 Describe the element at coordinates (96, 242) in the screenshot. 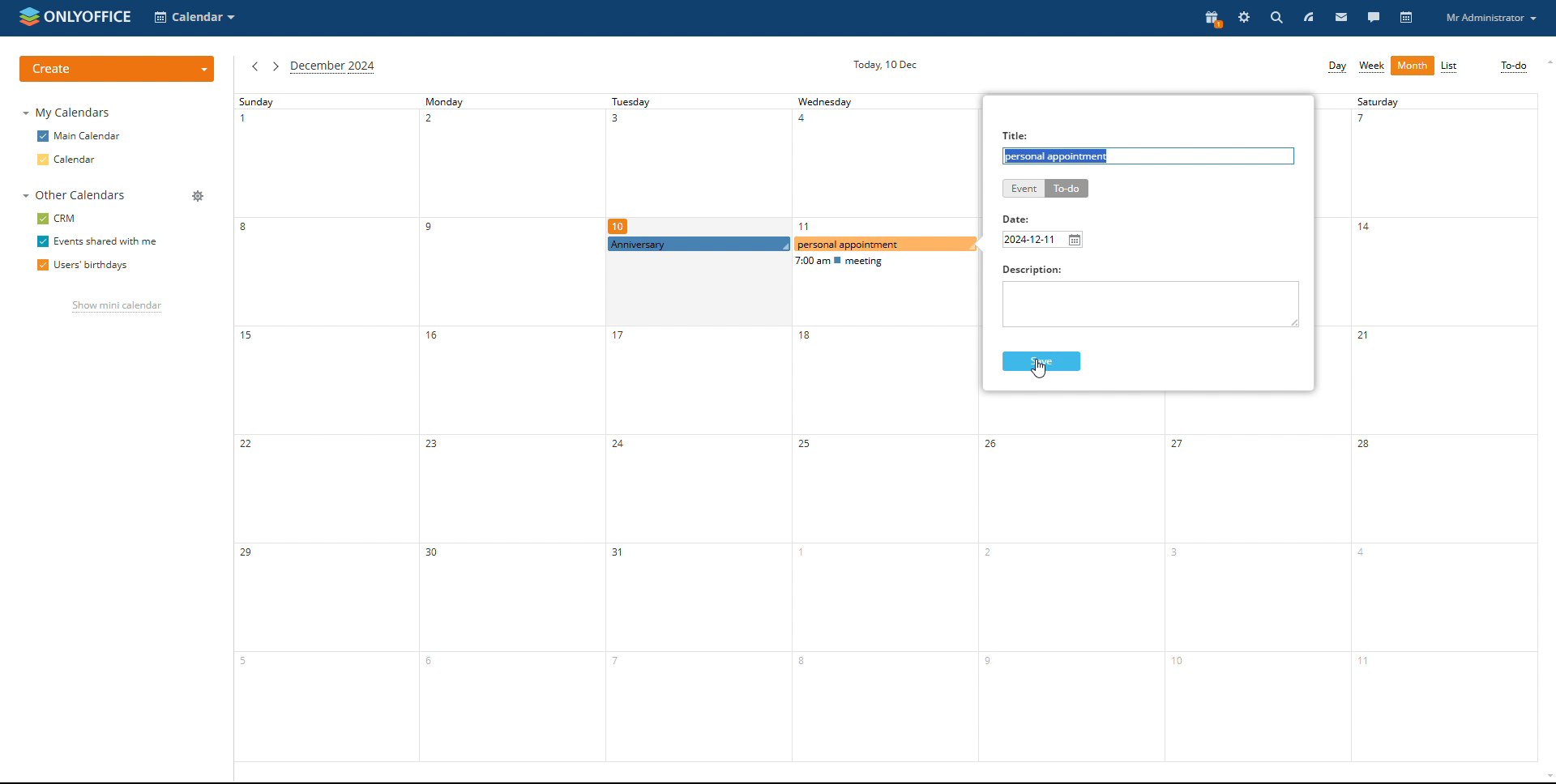

I see `event shared with me` at that location.